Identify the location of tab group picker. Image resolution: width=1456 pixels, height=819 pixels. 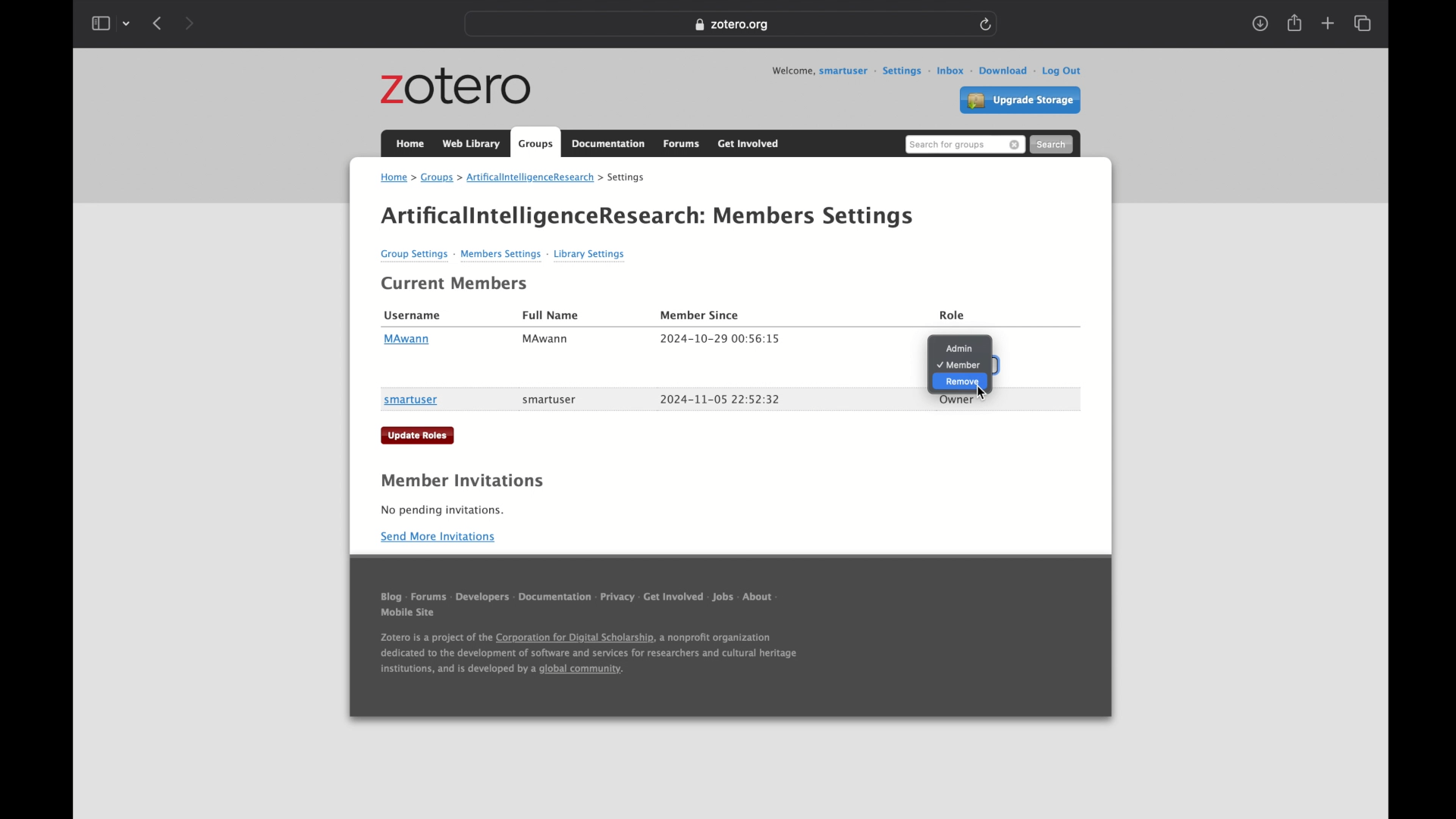
(127, 24).